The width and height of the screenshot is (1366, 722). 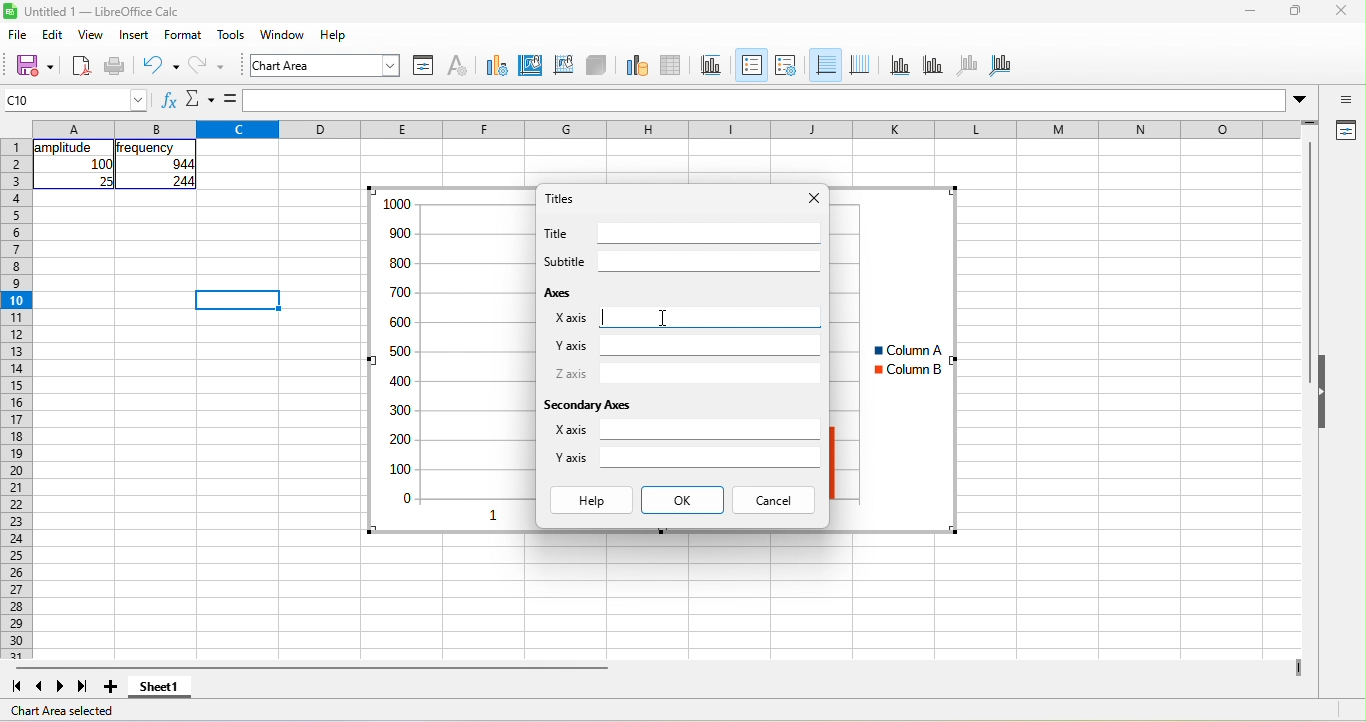 I want to click on Subtitle, so click(x=565, y=261).